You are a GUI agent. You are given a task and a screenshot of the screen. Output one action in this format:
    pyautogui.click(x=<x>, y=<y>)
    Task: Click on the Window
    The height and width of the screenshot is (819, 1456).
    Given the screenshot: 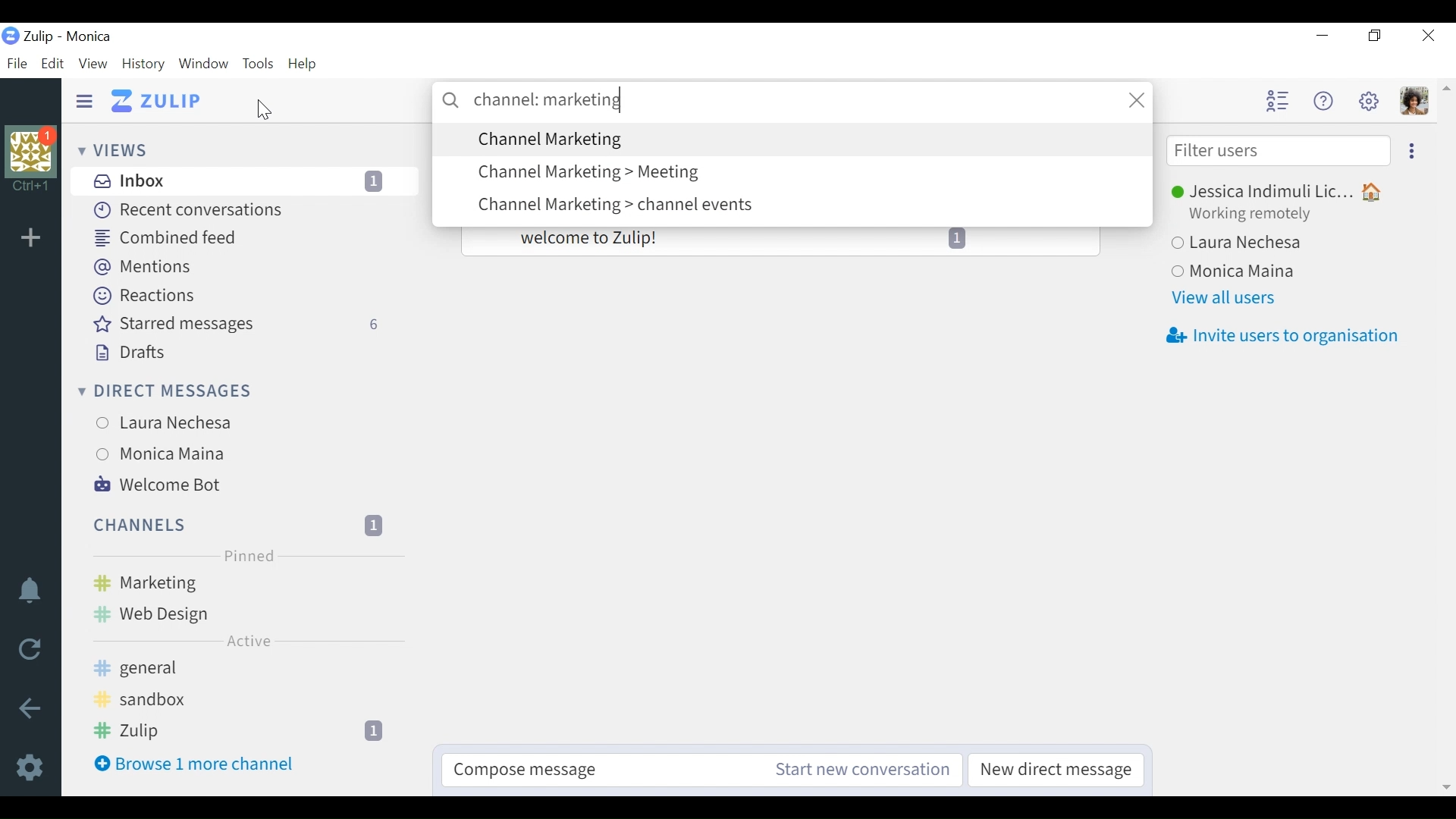 What is the action you would take?
    pyautogui.click(x=206, y=63)
    